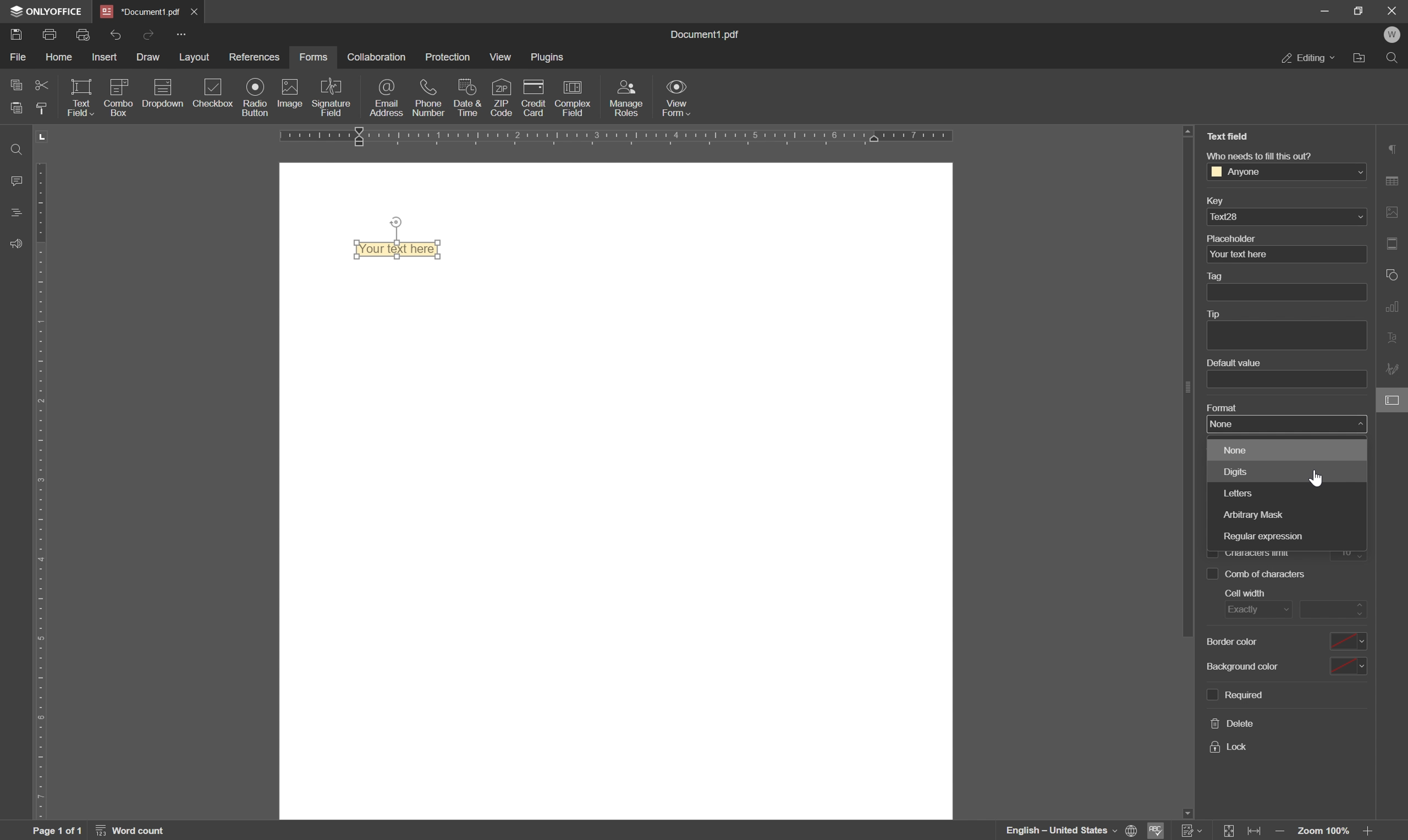  I want to click on lock, so click(1229, 747).